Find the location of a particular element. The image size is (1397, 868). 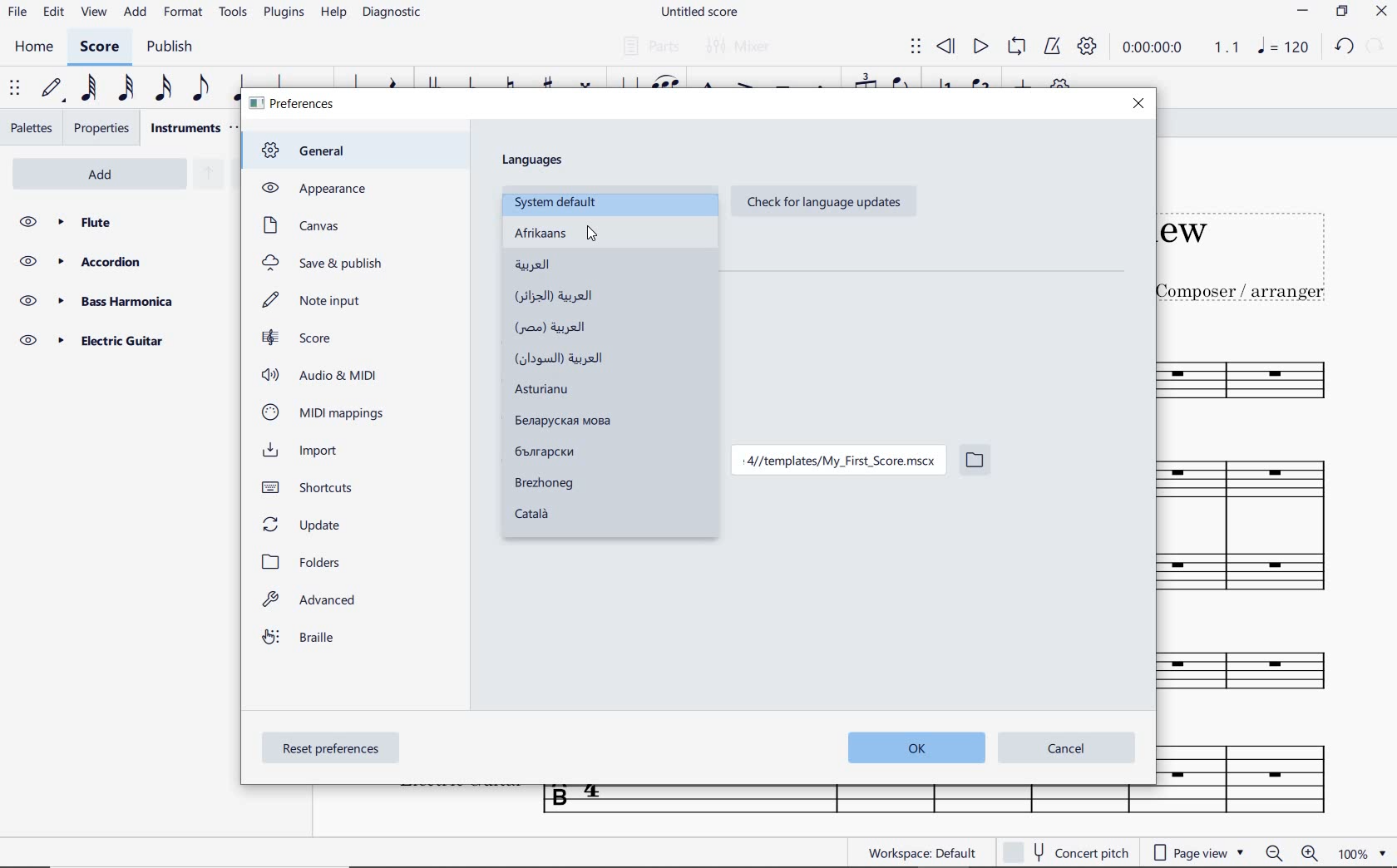

16th note is located at coordinates (163, 89).